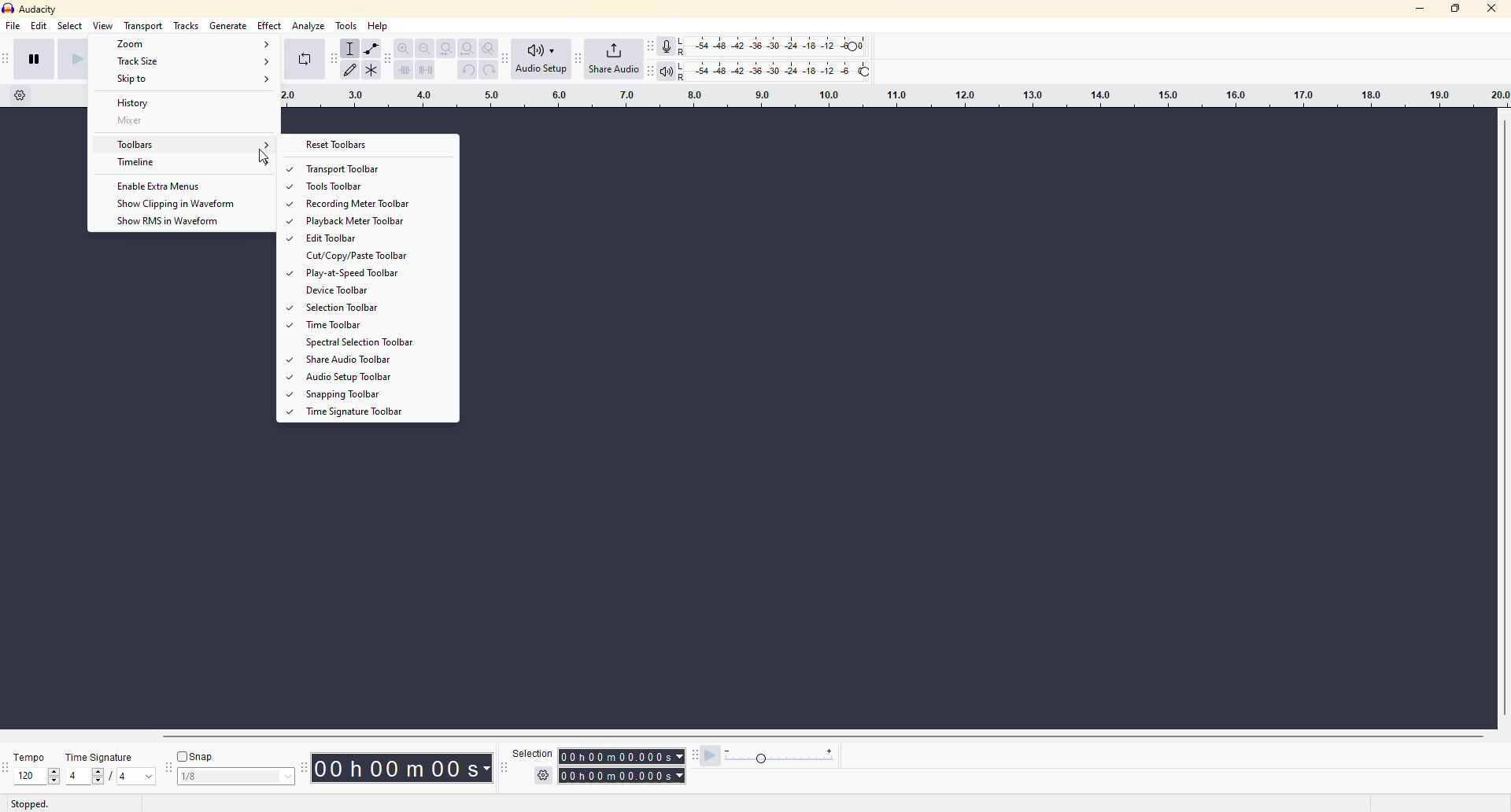 This screenshot has width=1511, height=812. Describe the element at coordinates (308, 26) in the screenshot. I see `analyze` at that location.